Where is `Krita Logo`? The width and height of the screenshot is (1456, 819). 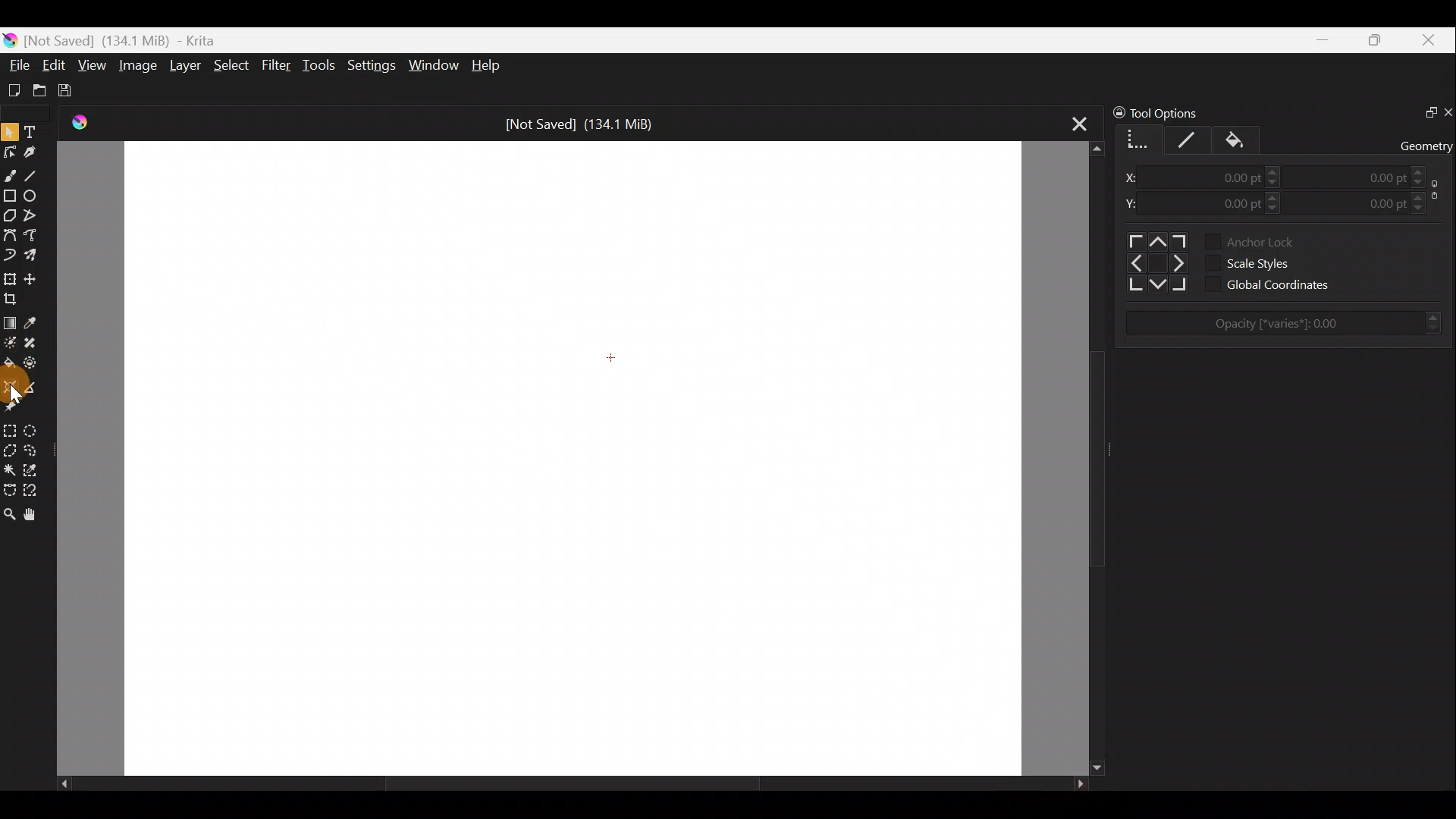 Krita Logo is located at coordinates (77, 123).